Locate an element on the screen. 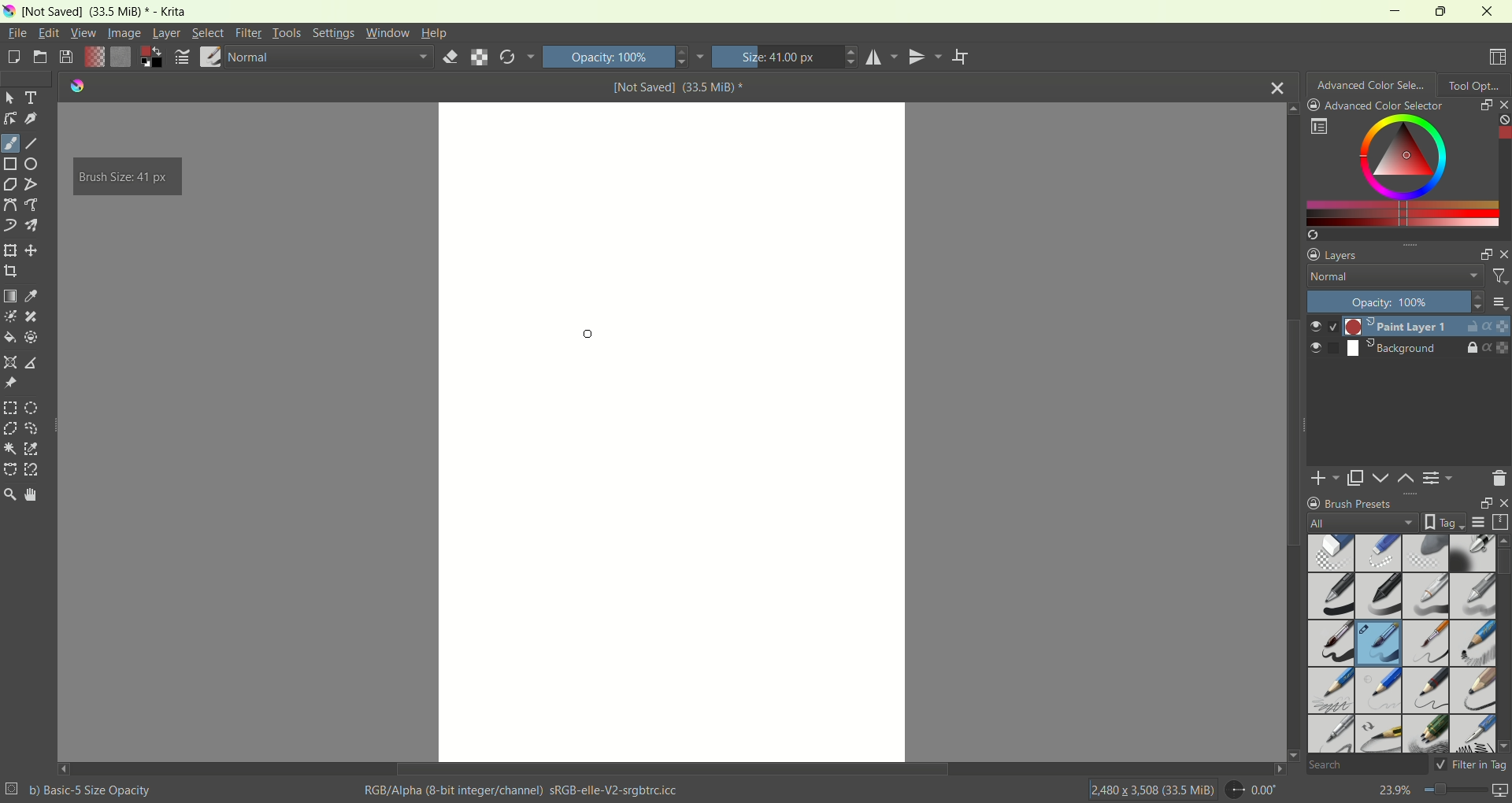 The image size is (1512, 803). brush is located at coordinates (211, 58).